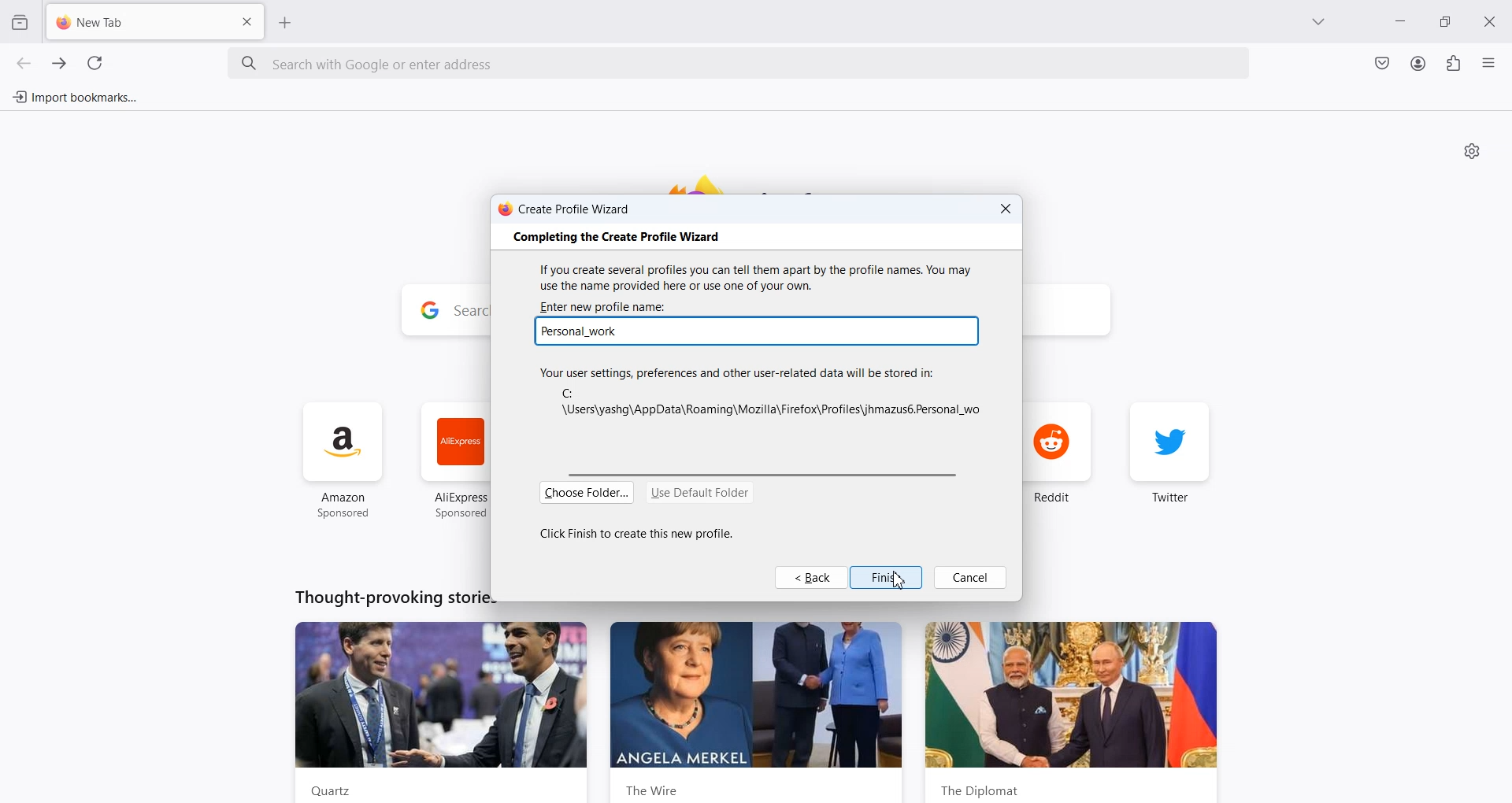 This screenshot has height=803, width=1512. What do you see at coordinates (24, 63) in the screenshot?
I see `Go back one page` at bounding box center [24, 63].